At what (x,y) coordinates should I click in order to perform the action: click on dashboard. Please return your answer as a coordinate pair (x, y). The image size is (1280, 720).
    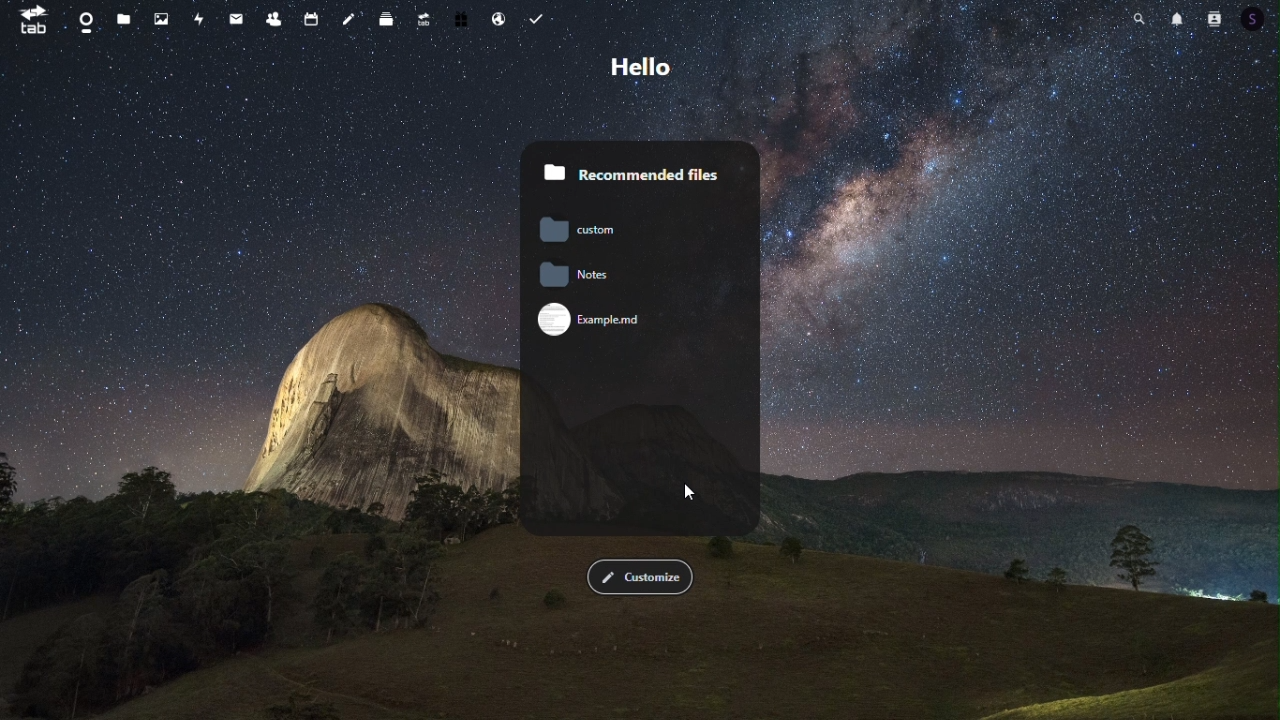
    Looking at the image, I should click on (82, 23).